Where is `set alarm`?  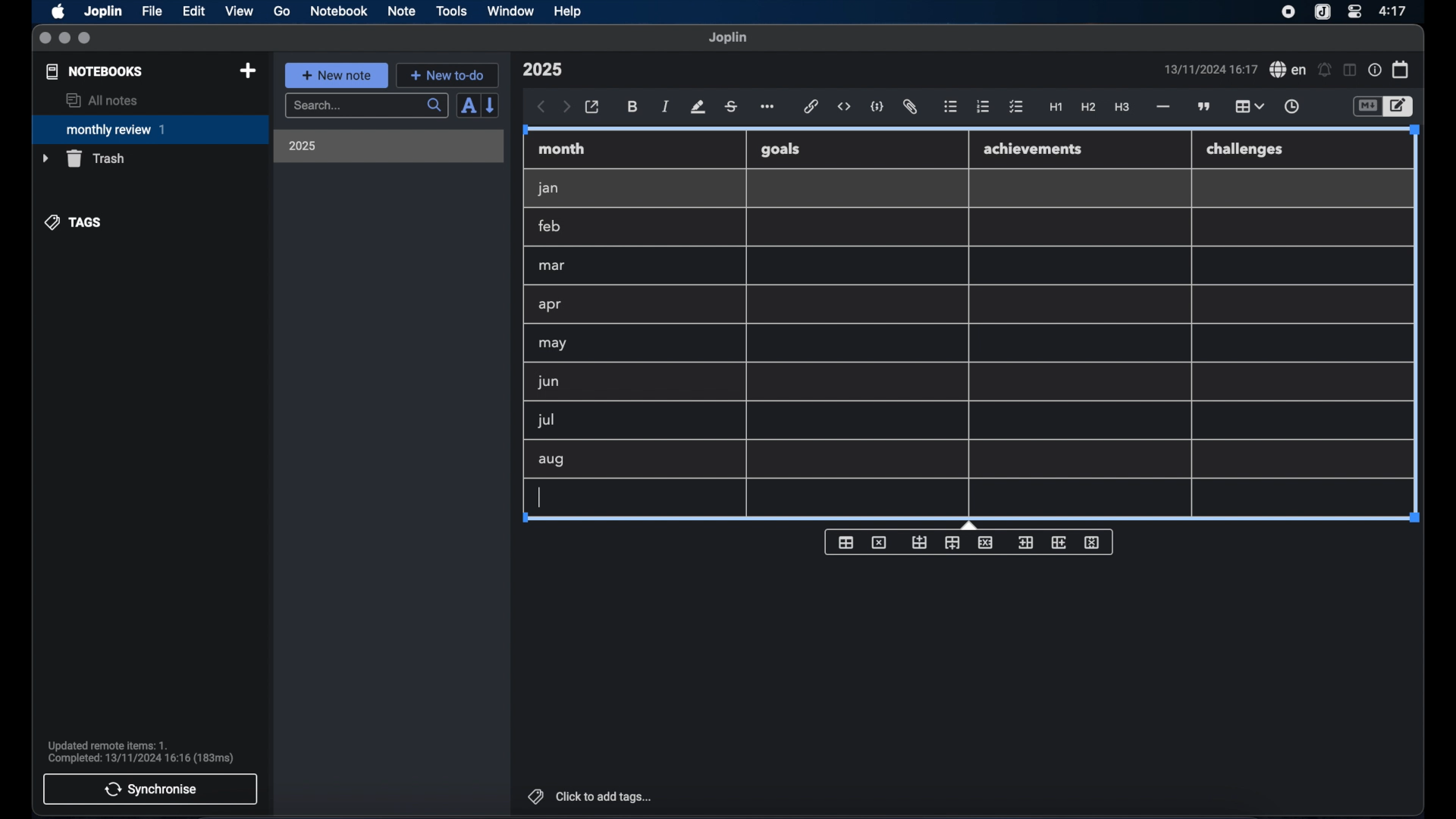
set alarm is located at coordinates (1325, 71).